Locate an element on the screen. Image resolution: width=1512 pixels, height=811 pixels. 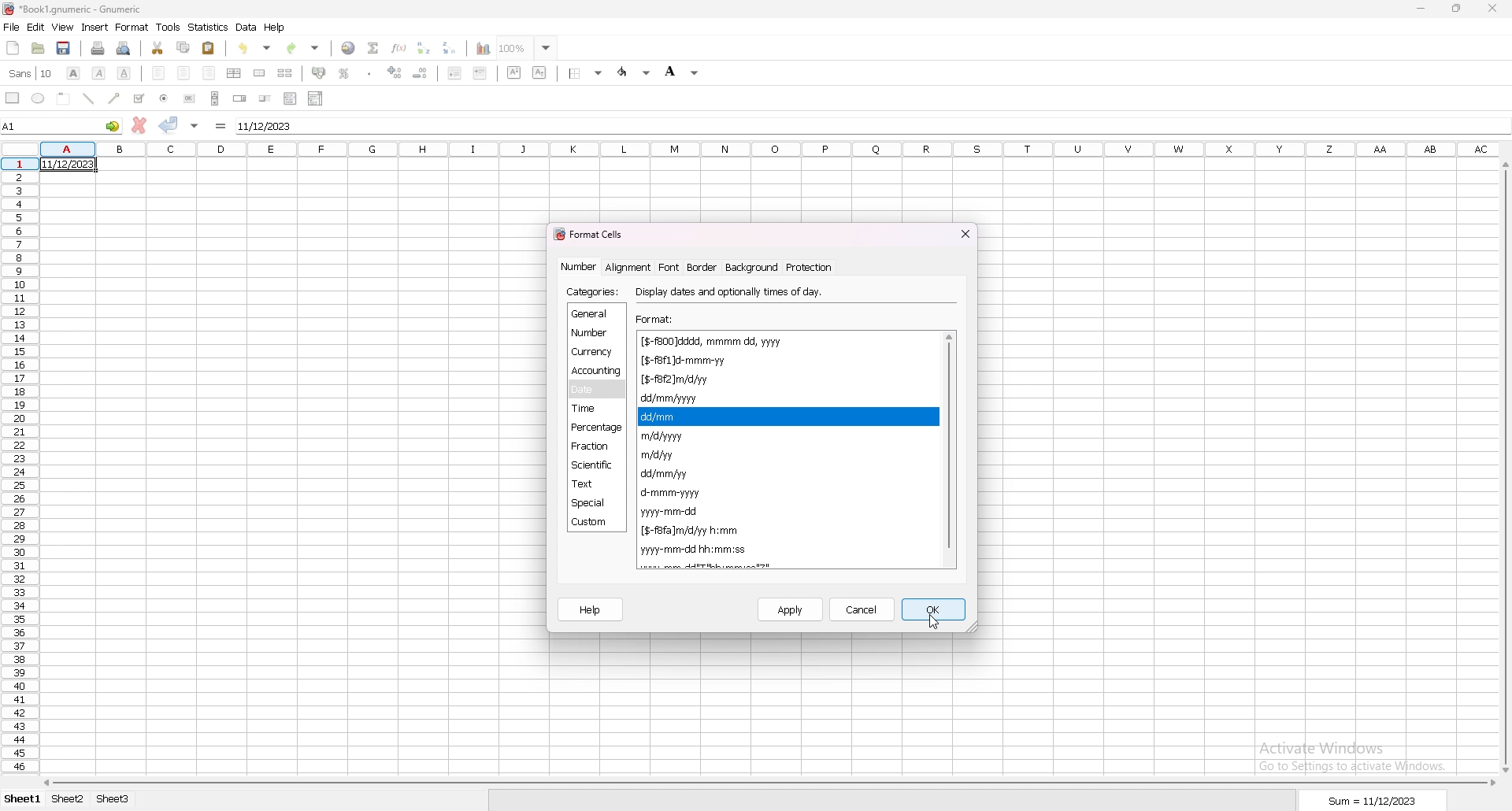
minimize is located at coordinates (1421, 10).